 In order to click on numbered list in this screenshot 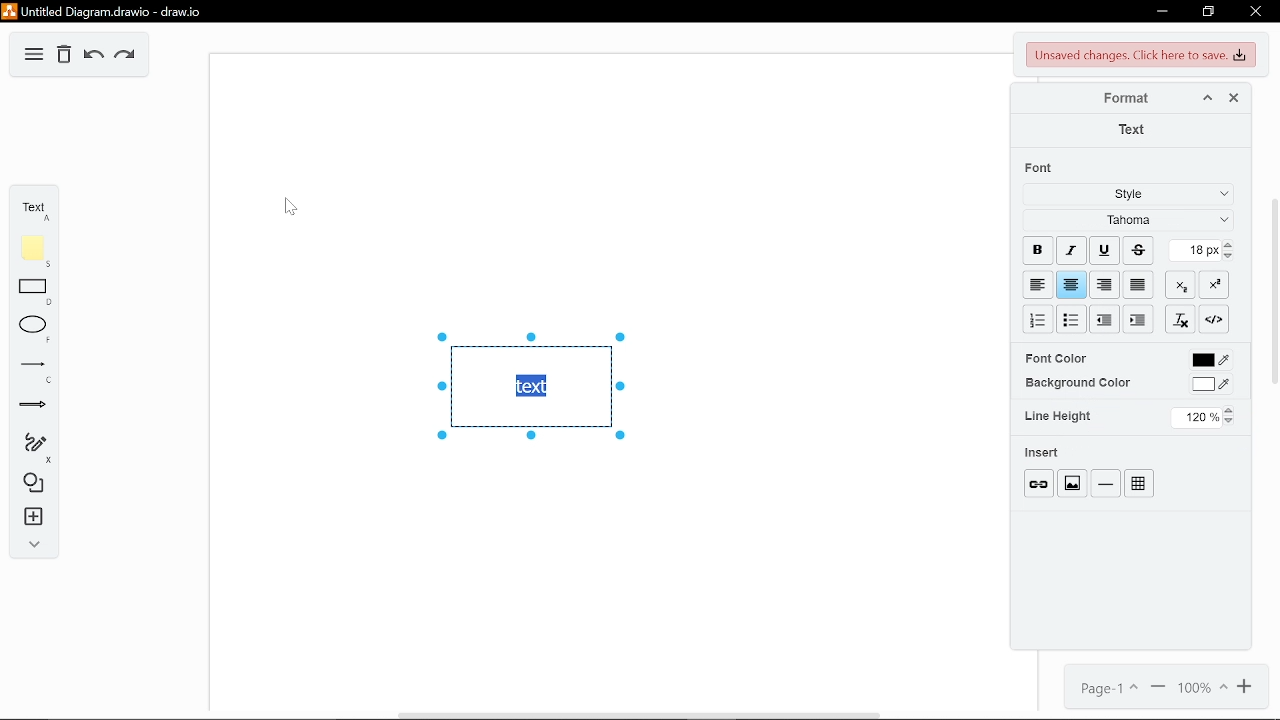, I will do `click(1039, 320)`.